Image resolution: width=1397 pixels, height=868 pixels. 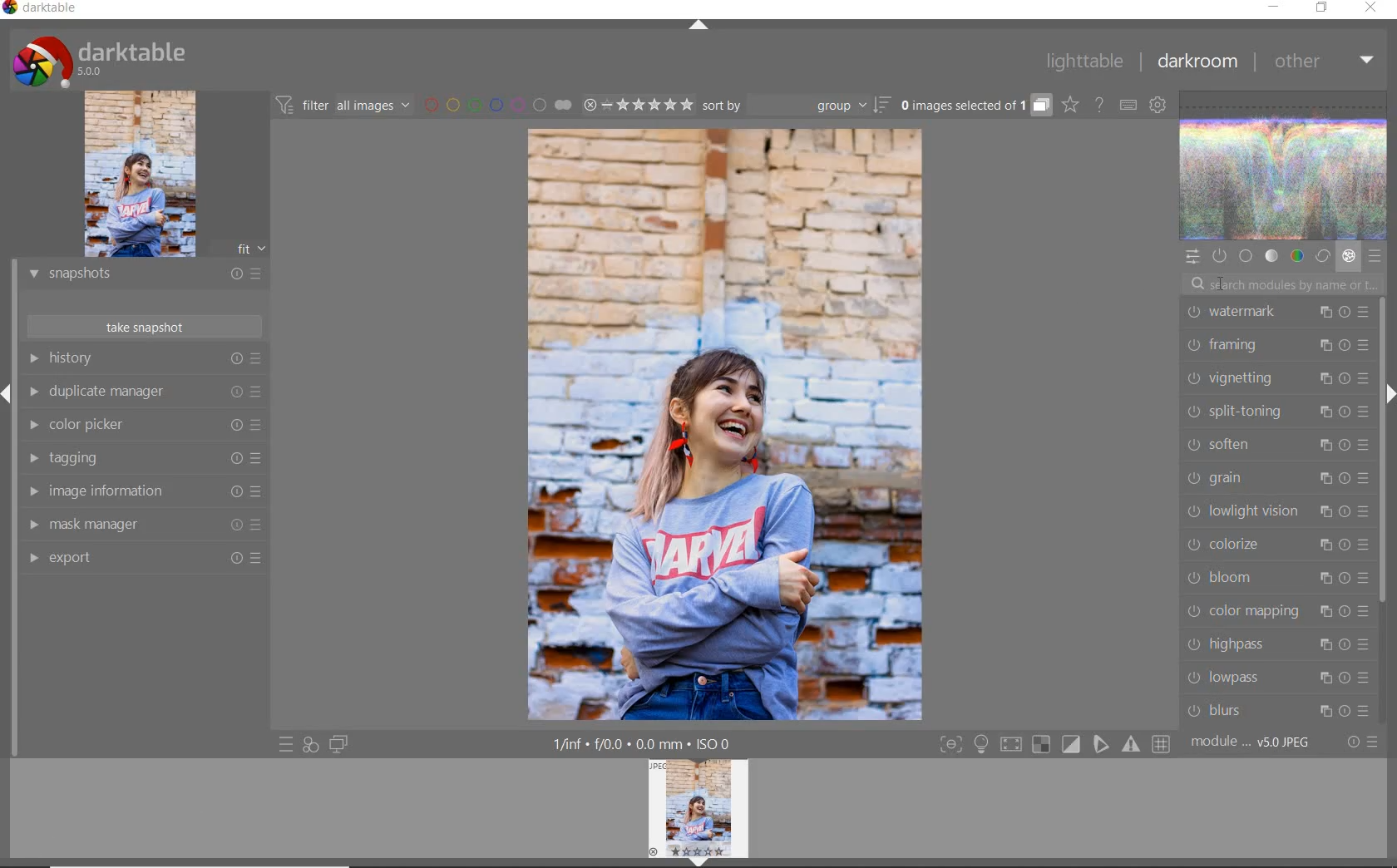 What do you see at coordinates (797, 107) in the screenshot?
I see `sort` at bounding box center [797, 107].